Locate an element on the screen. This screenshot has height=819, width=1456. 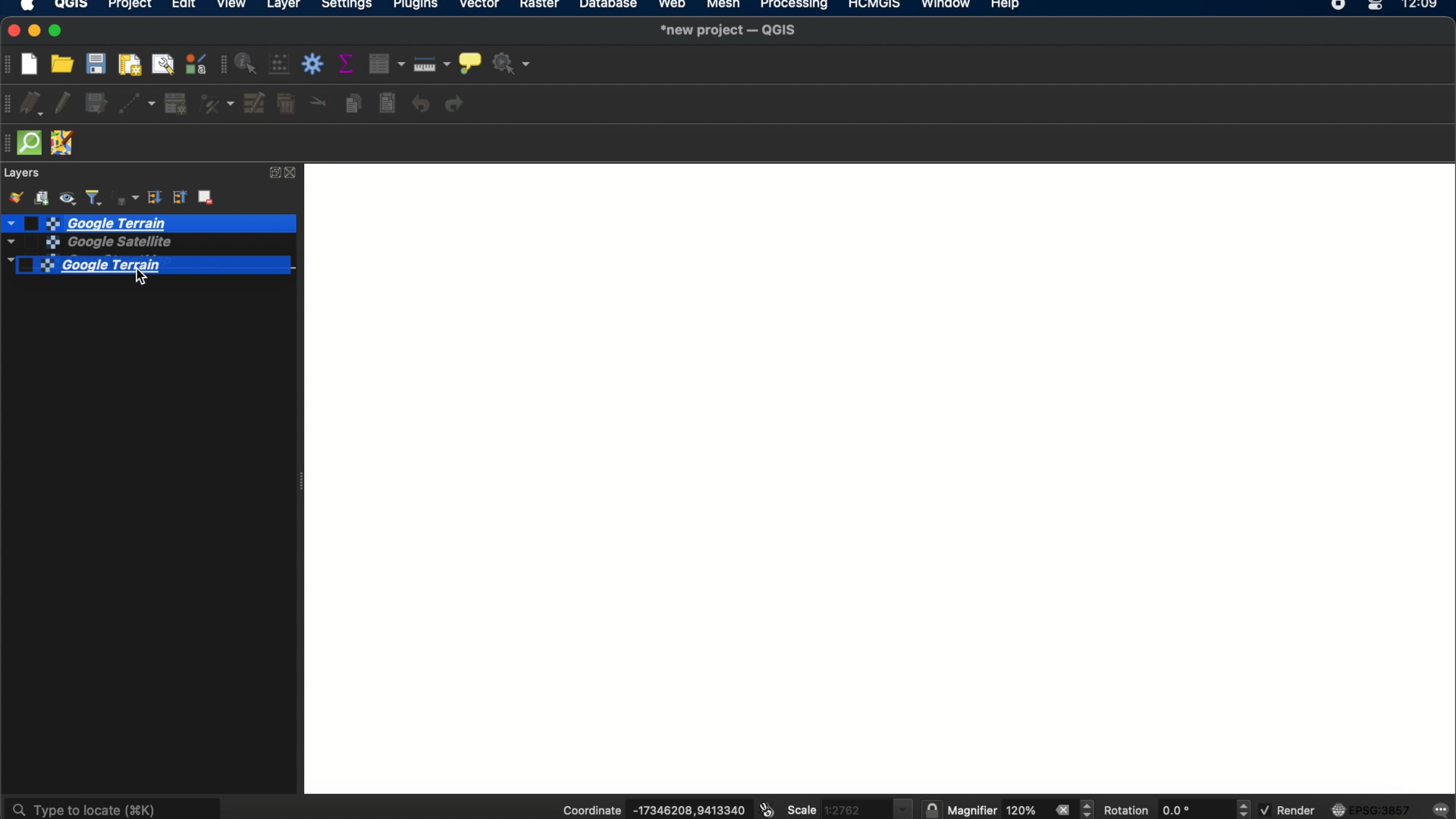
rotation 0.0 is located at coordinates (1156, 810).